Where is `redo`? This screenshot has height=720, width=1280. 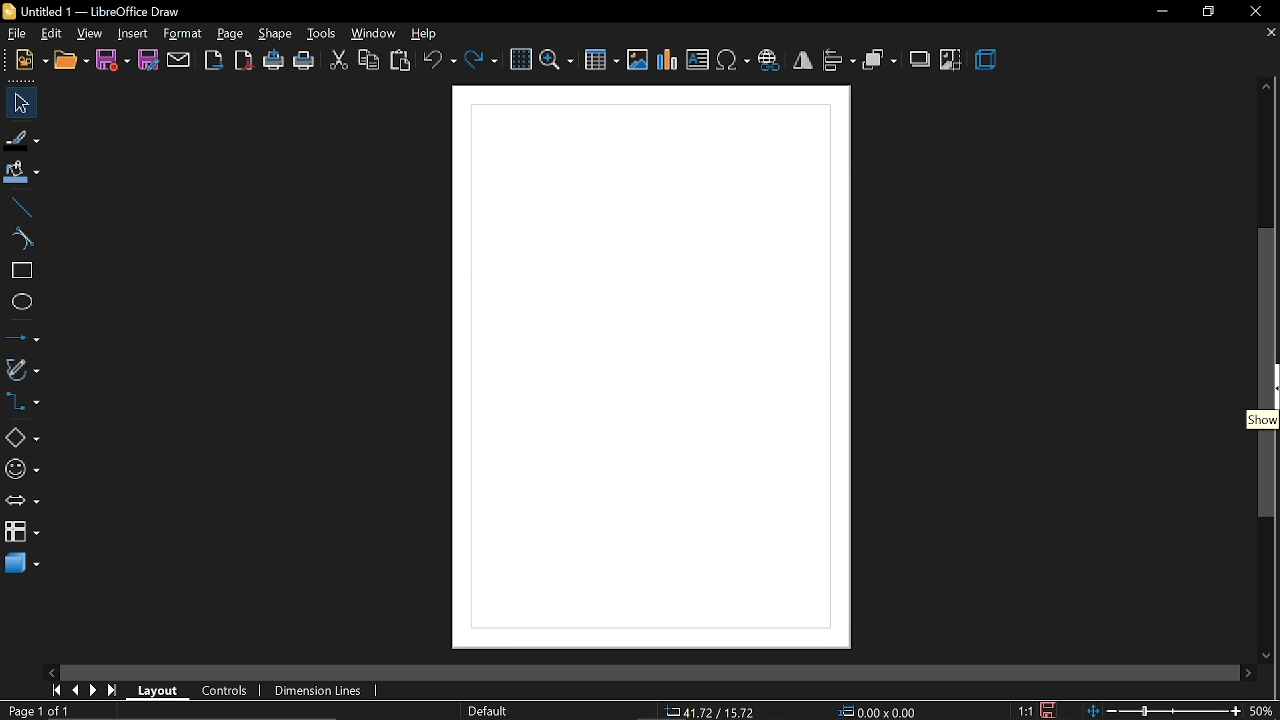 redo is located at coordinates (481, 60).